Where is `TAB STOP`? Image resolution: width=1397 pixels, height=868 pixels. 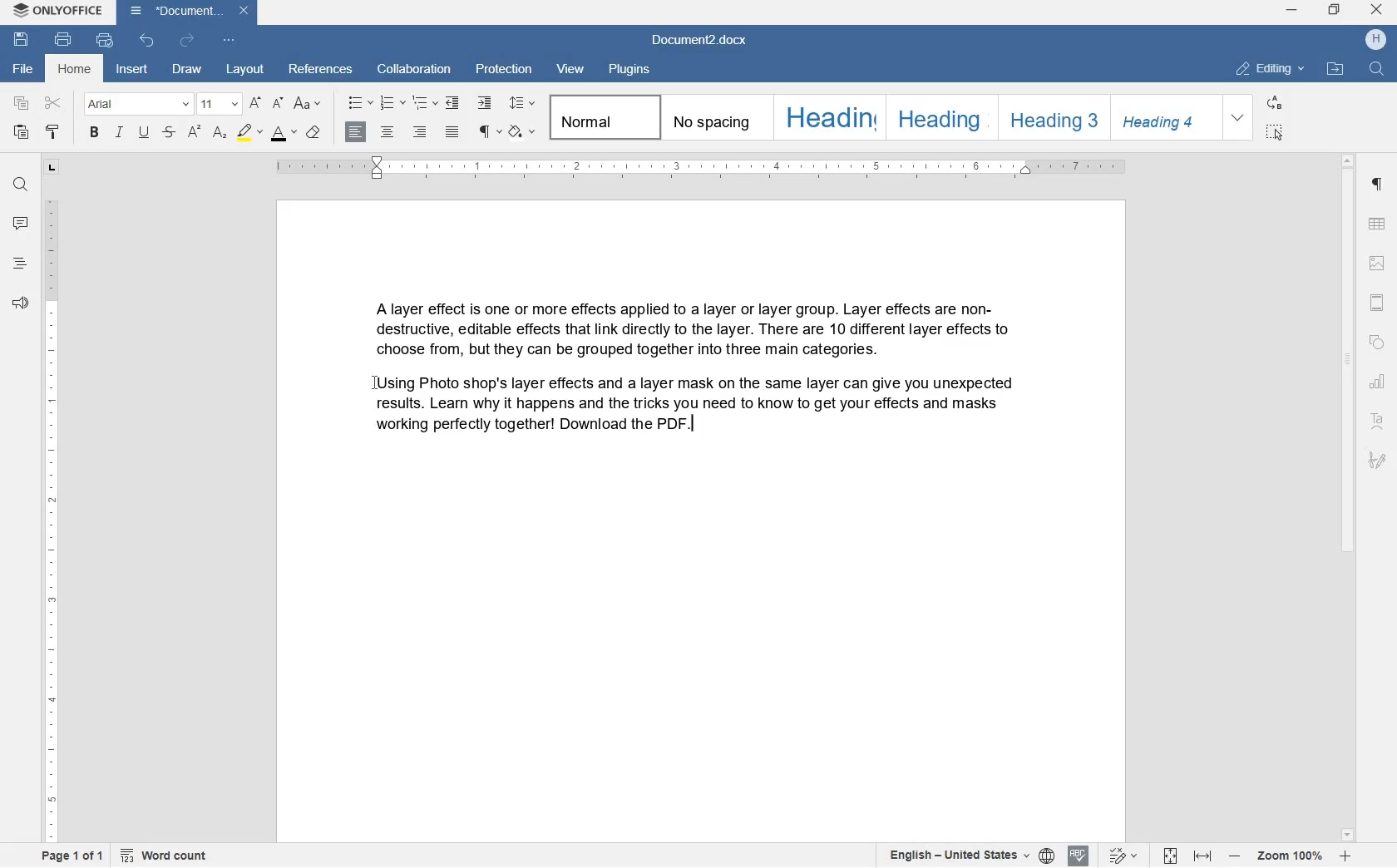
TAB STOP is located at coordinates (52, 167).